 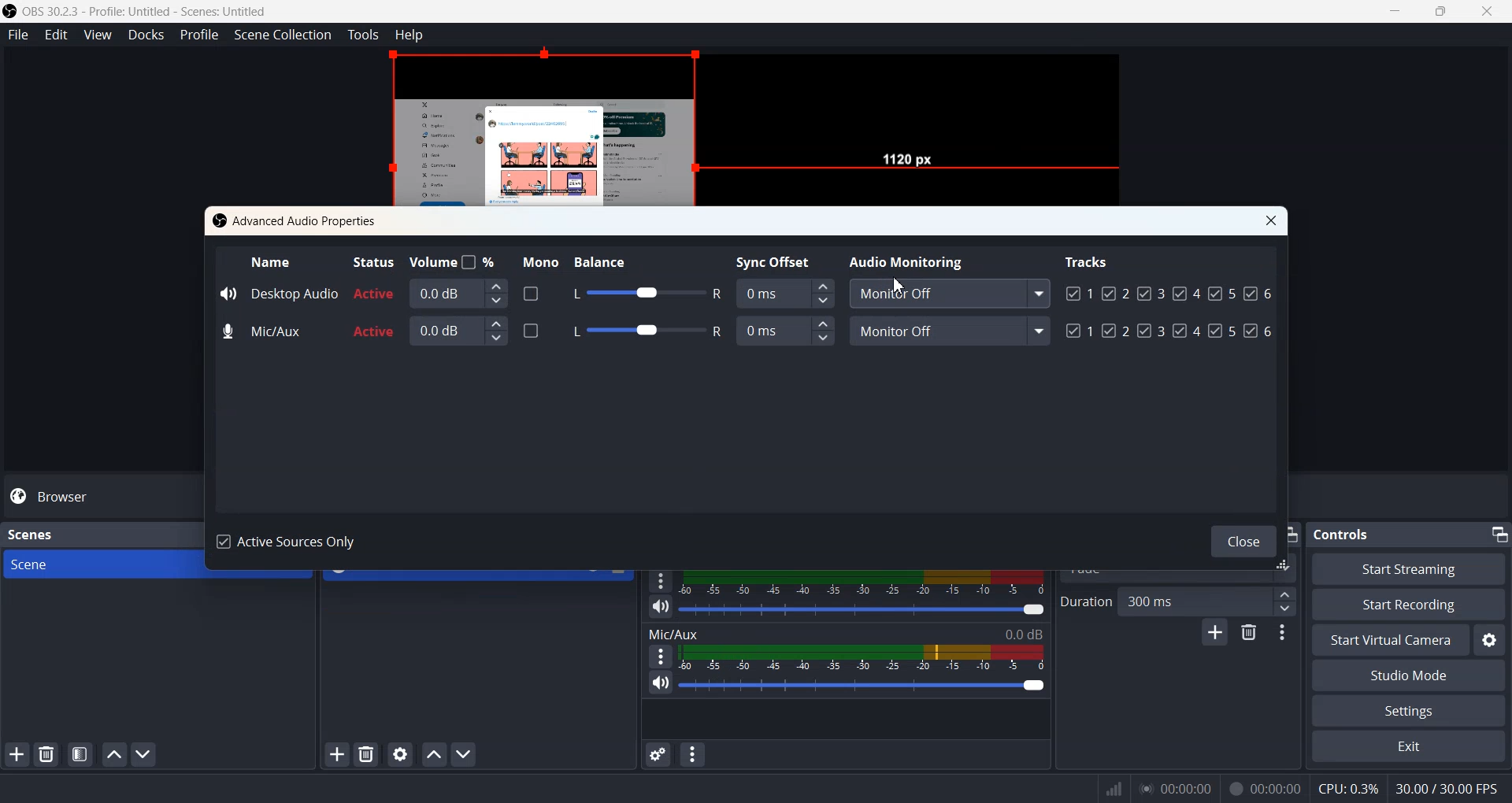 I want to click on Monitor Off, so click(x=948, y=294).